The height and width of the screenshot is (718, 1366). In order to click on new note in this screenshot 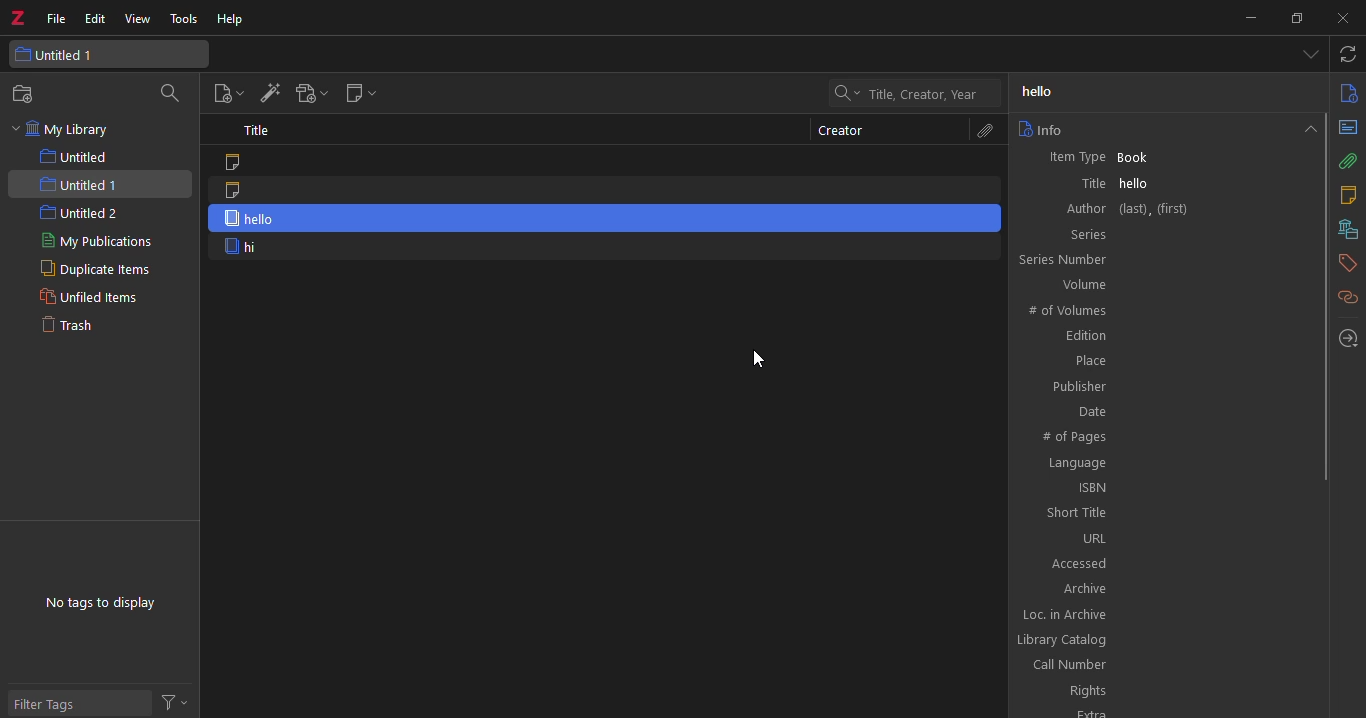, I will do `click(359, 95)`.